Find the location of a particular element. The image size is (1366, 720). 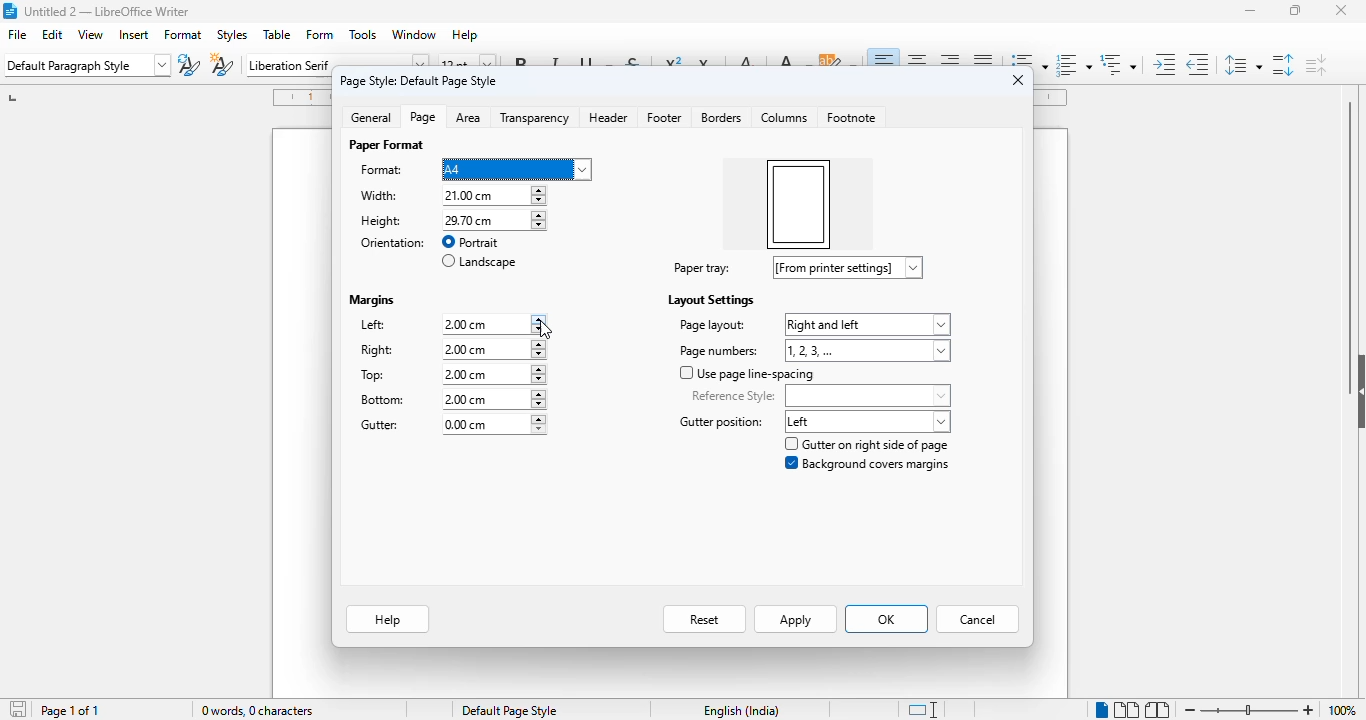

reference style: is located at coordinates (728, 397).